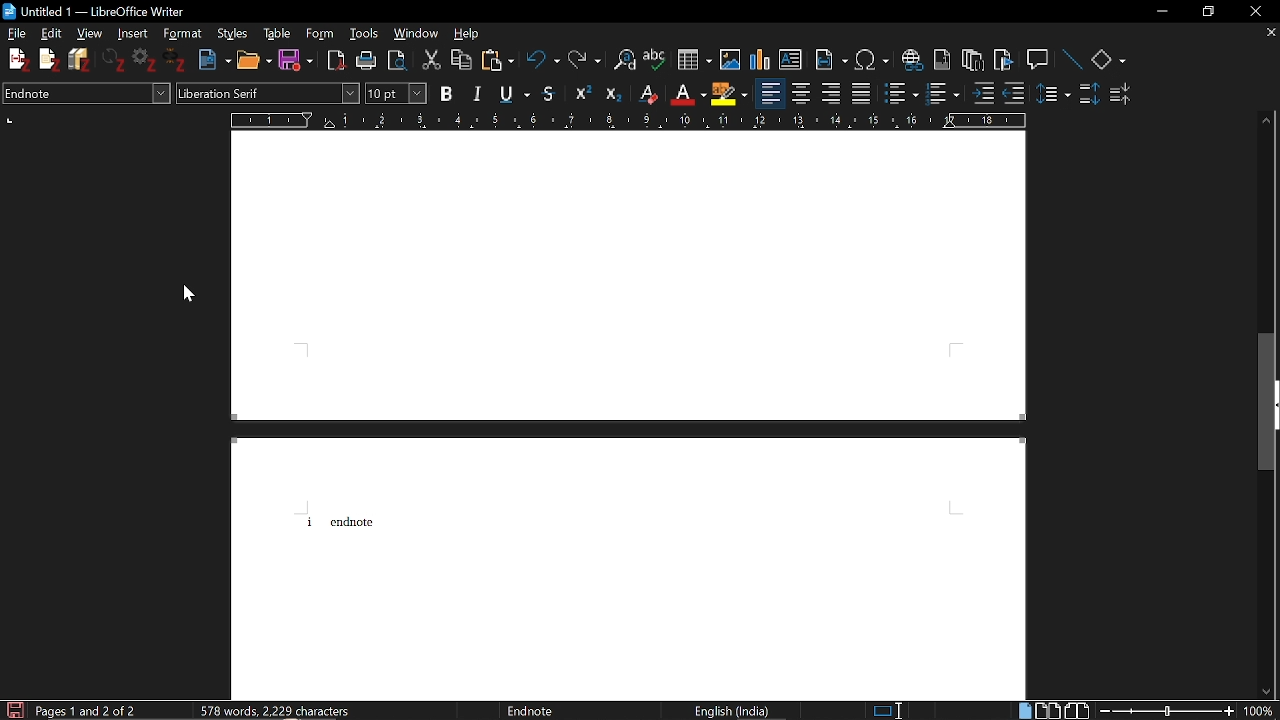  I want to click on Align left, so click(833, 94).